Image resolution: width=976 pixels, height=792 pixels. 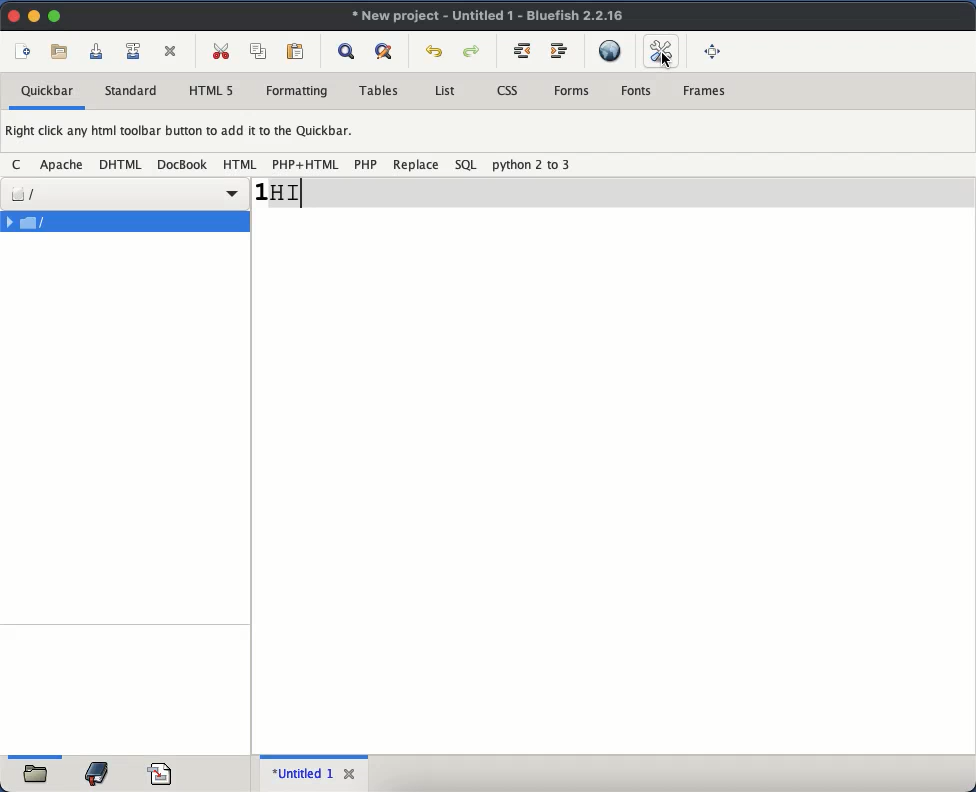 I want to click on preview in browser, so click(x=611, y=49).